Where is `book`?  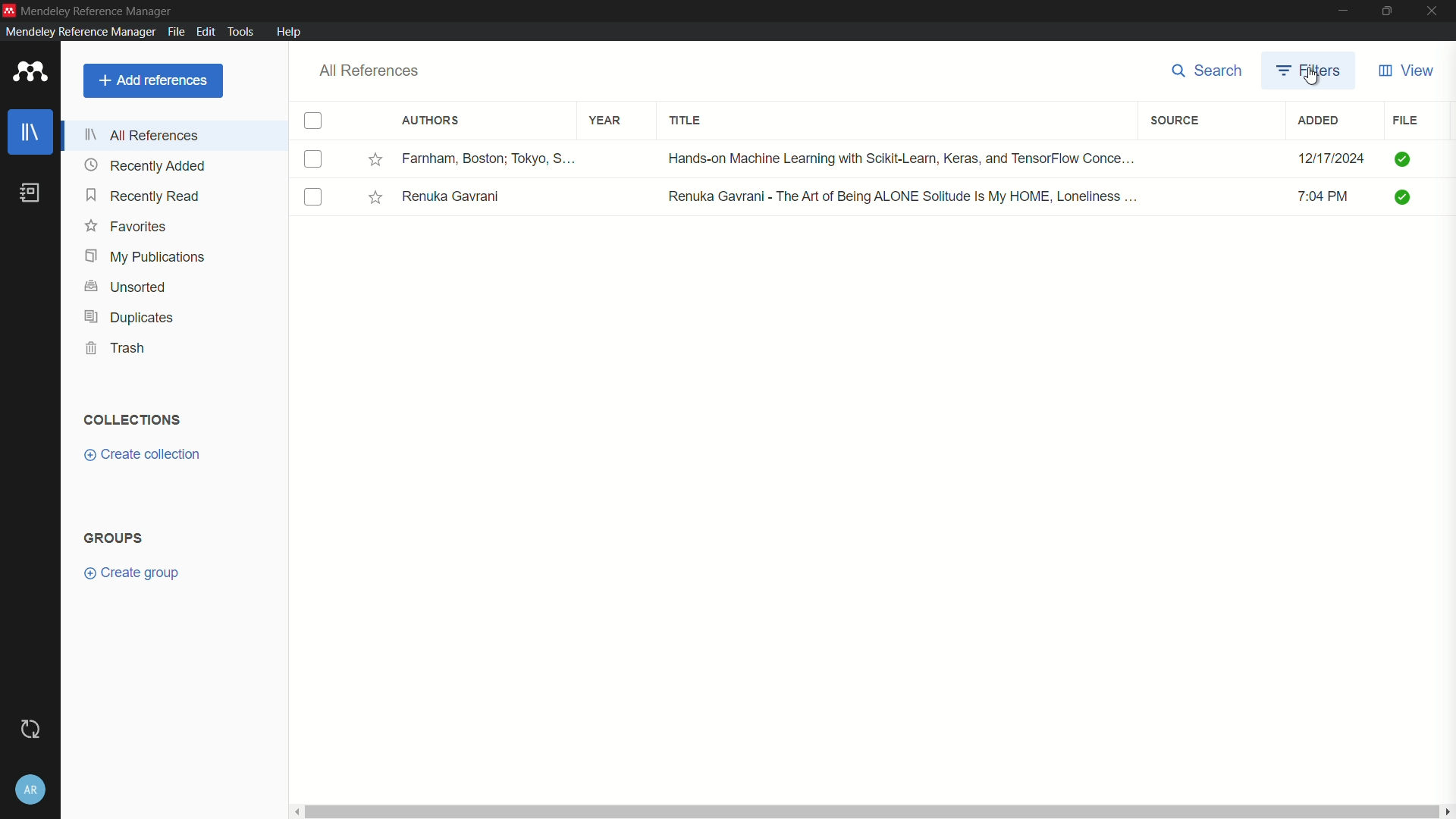 book is located at coordinates (30, 192).